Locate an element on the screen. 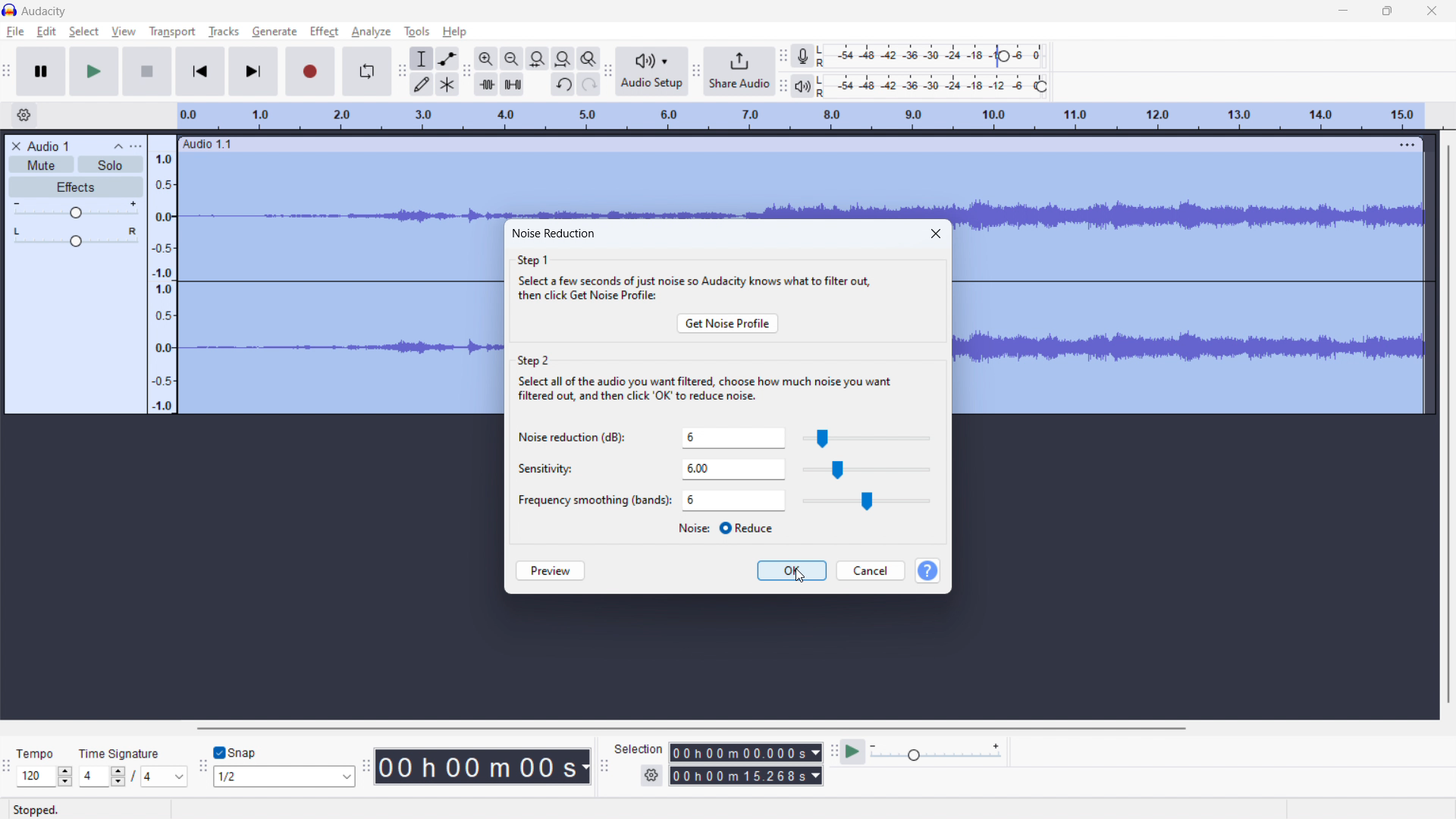 This screenshot has height=819, width=1456. start time is located at coordinates (746, 752).